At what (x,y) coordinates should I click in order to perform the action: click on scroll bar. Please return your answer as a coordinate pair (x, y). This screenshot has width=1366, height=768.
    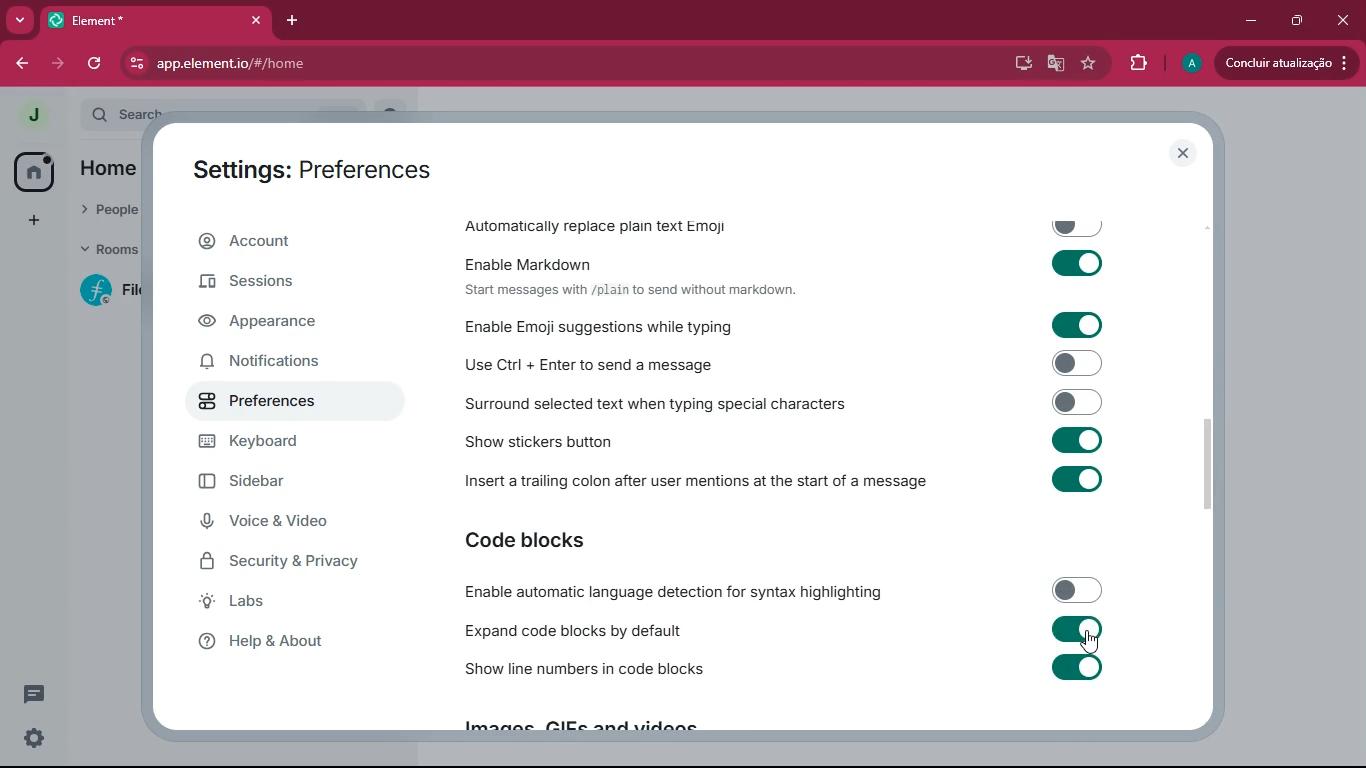
    Looking at the image, I should click on (1219, 464).